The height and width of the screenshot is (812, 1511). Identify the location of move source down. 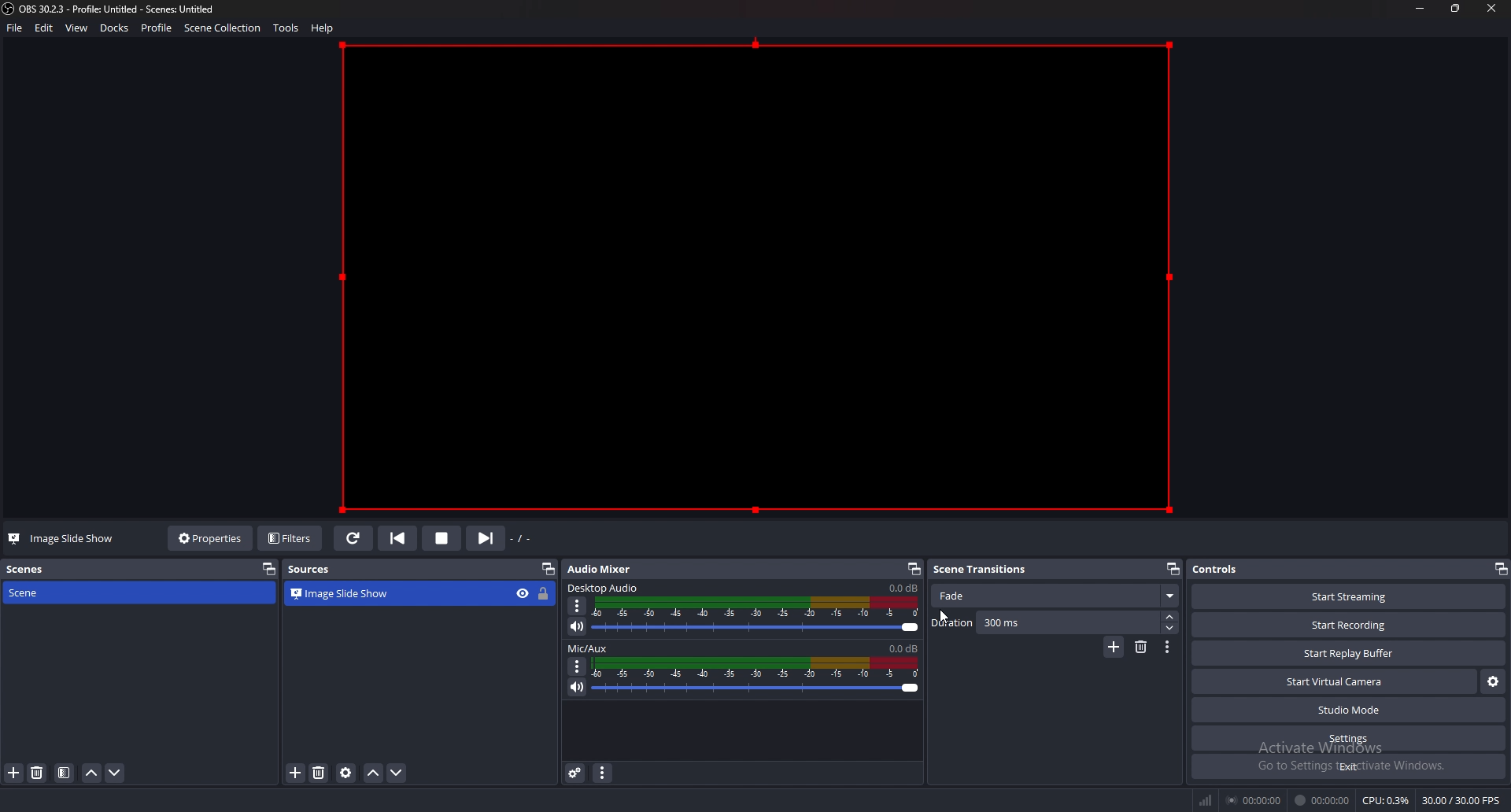
(397, 773).